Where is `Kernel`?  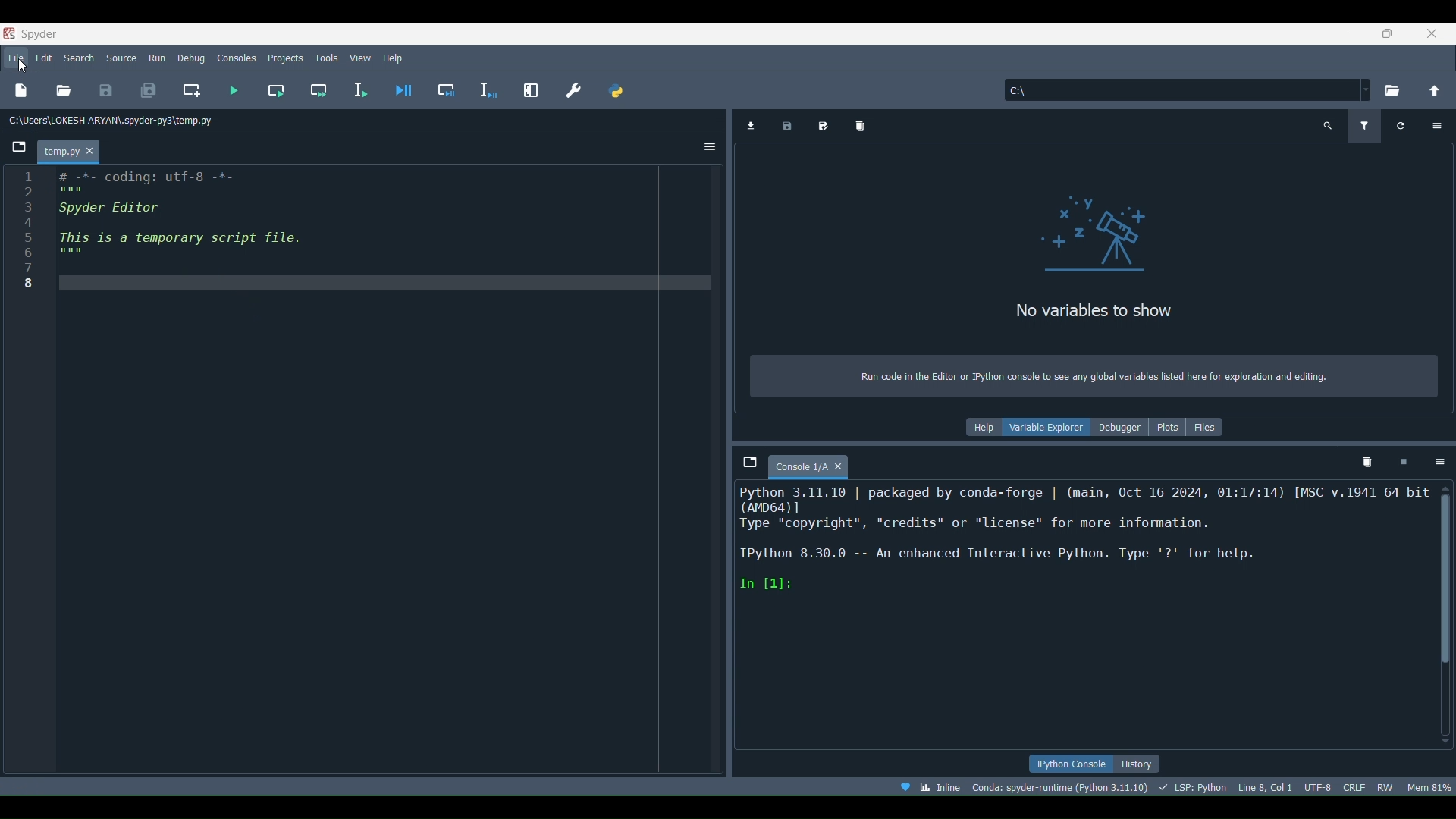 Kernel is located at coordinates (1087, 544).